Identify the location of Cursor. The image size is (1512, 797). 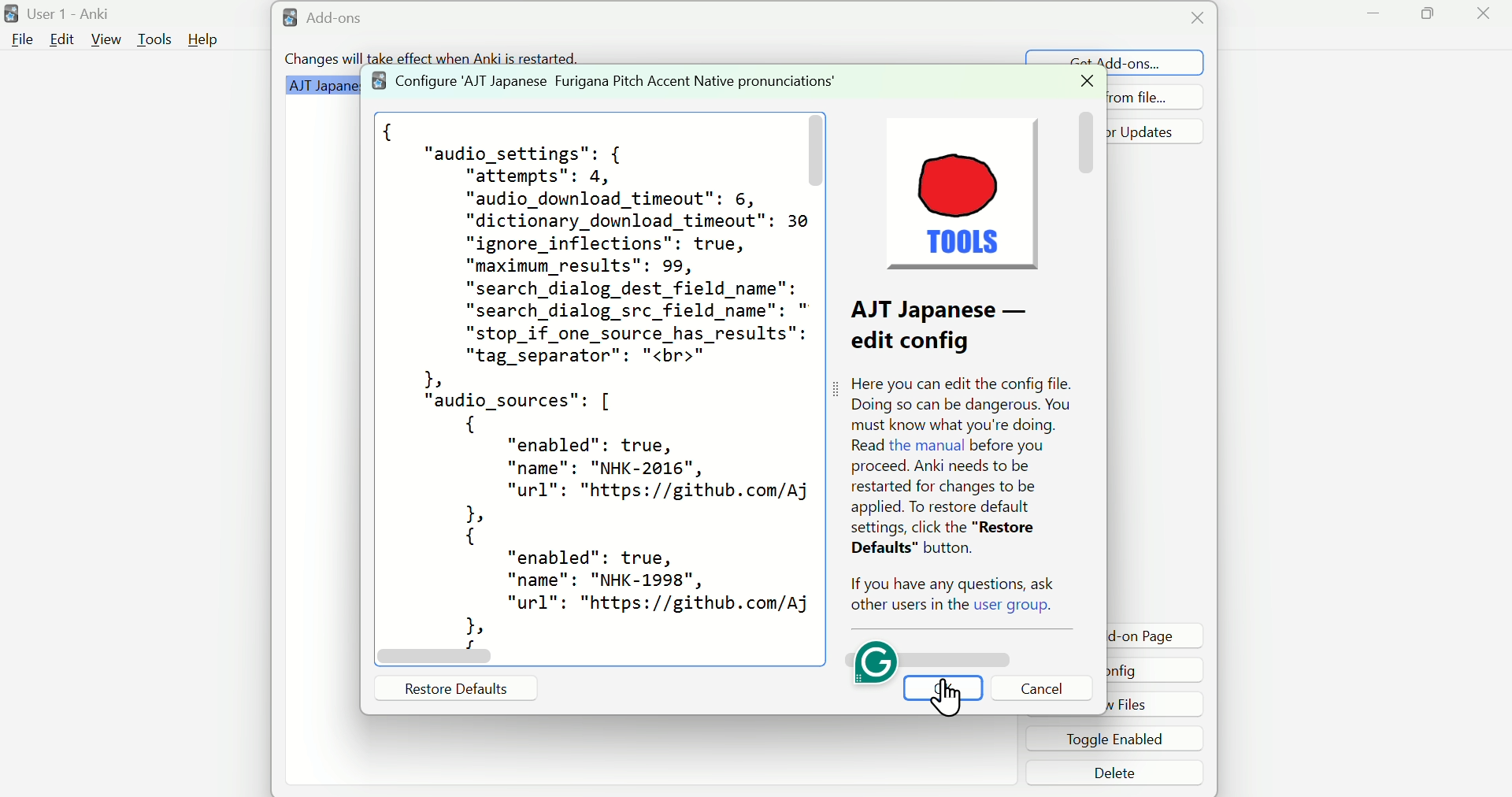
(946, 698).